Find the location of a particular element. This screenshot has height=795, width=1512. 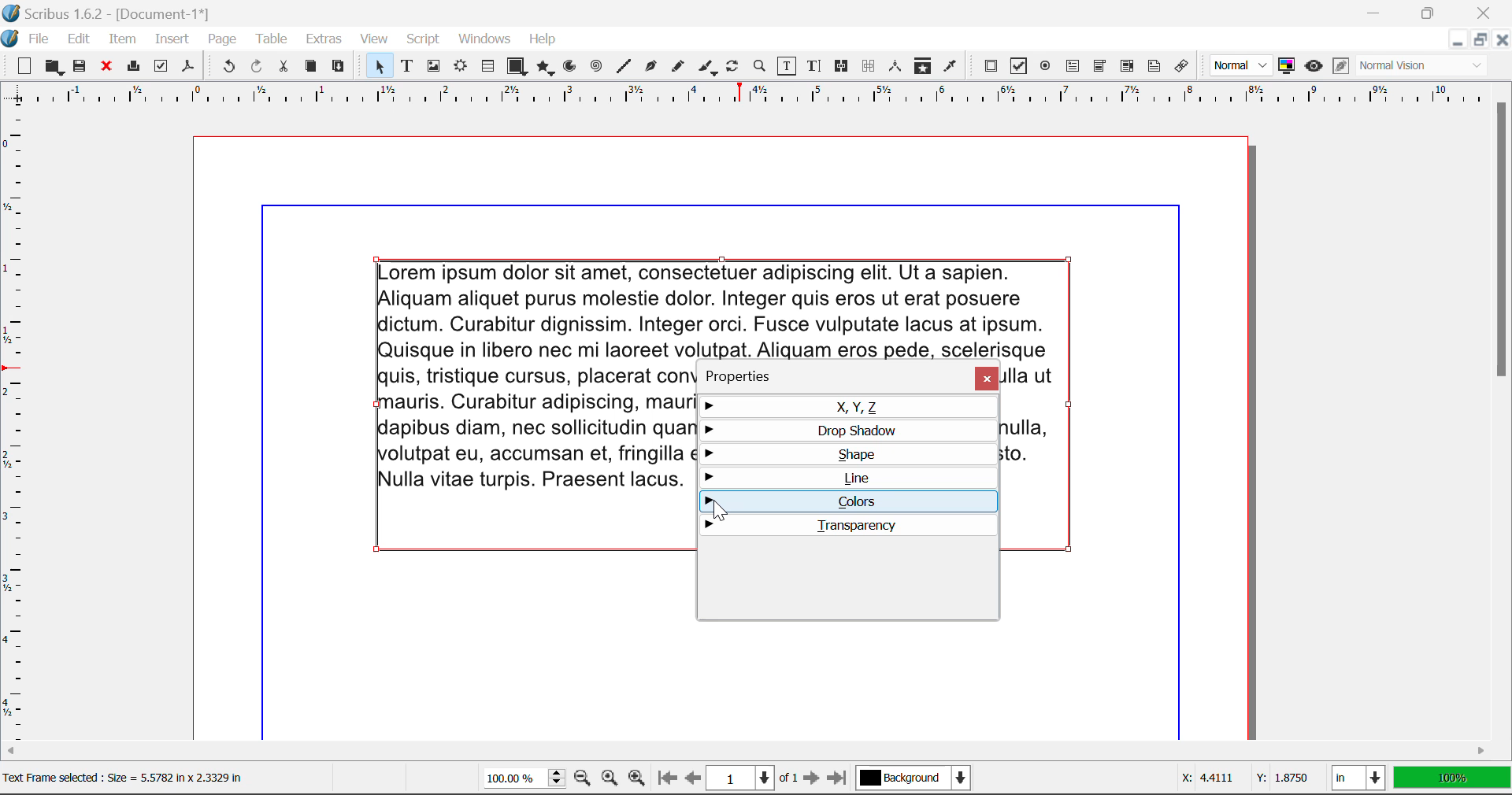

Item is located at coordinates (123, 41).